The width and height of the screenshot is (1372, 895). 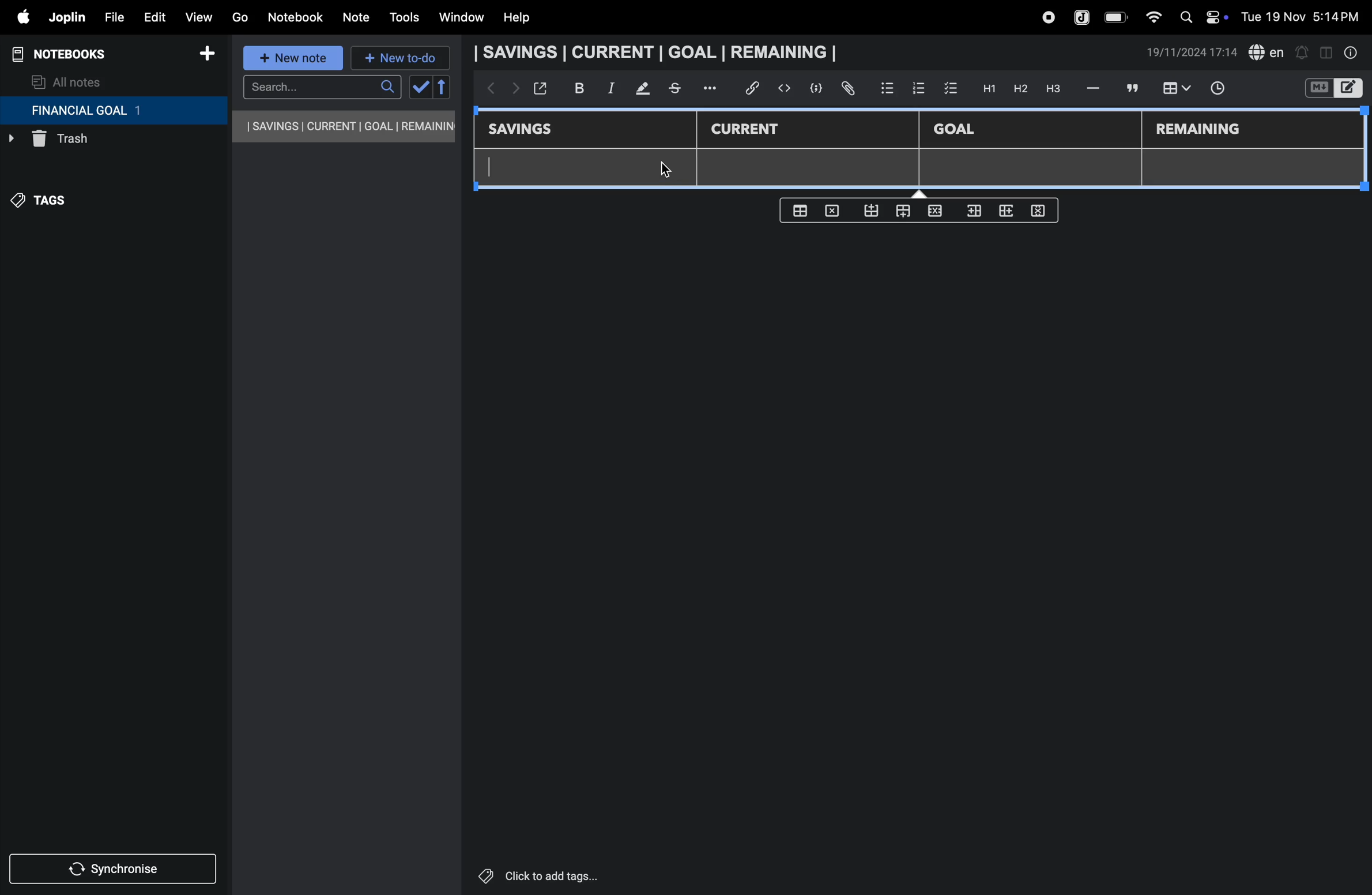 What do you see at coordinates (1304, 16) in the screenshot?
I see `date and time` at bounding box center [1304, 16].